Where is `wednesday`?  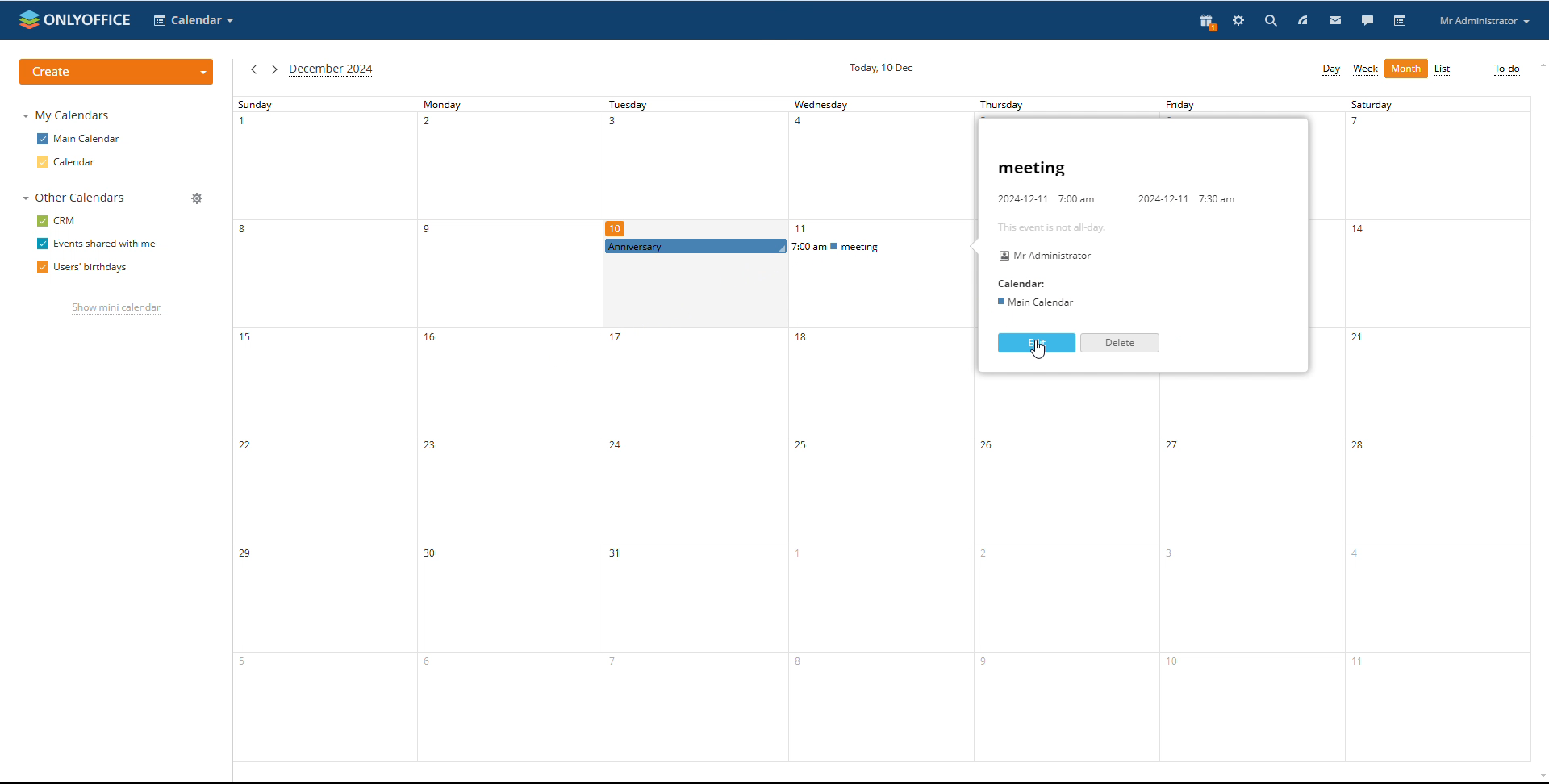
wednesday is located at coordinates (882, 511).